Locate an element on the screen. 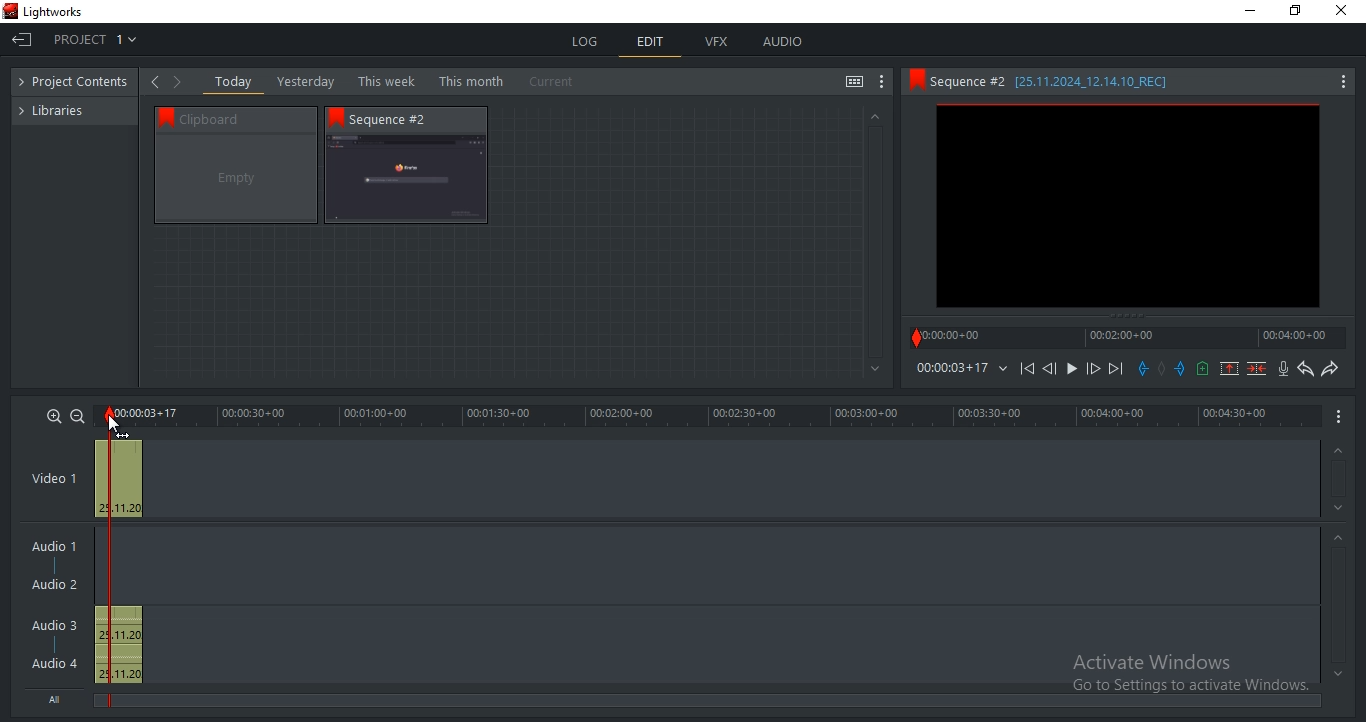 This screenshot has width=1366, height=722. zoom out is located at coordinates (77, 416).